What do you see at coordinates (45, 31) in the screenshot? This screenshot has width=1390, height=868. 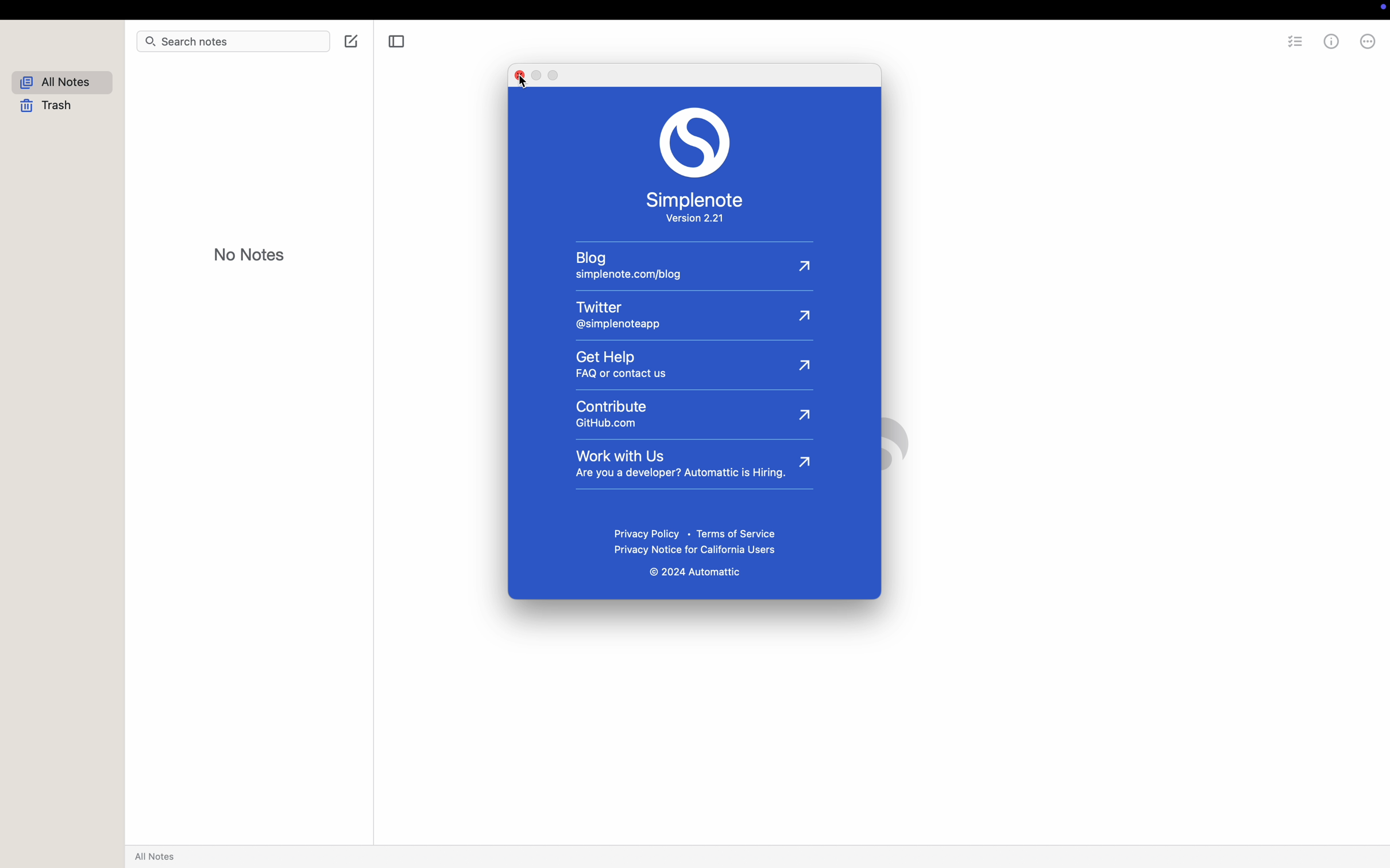 I see `maximize Simplenote` at bounding box center [45, 31].